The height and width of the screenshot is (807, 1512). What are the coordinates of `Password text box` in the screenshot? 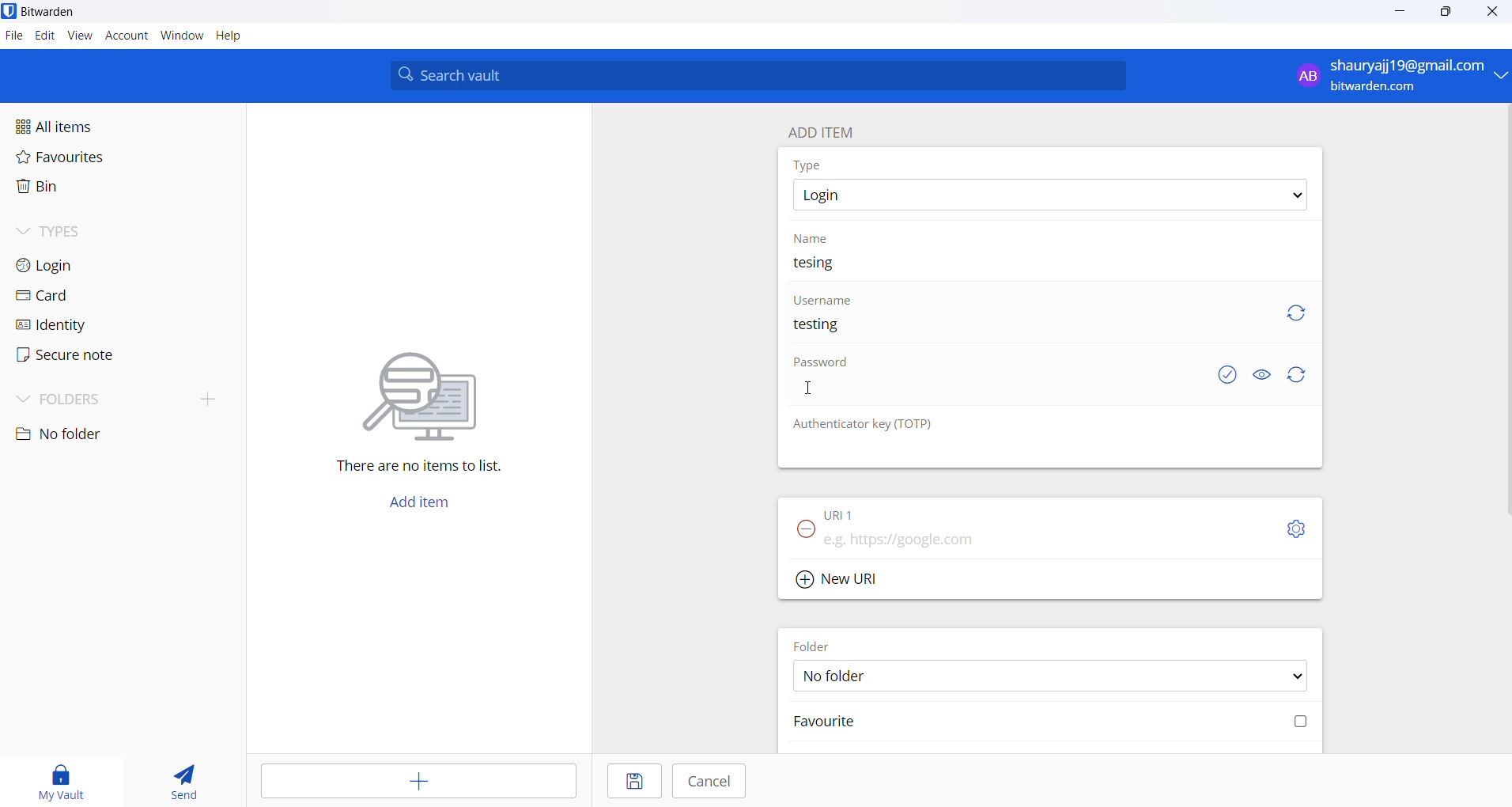 It's located at (992, 396).